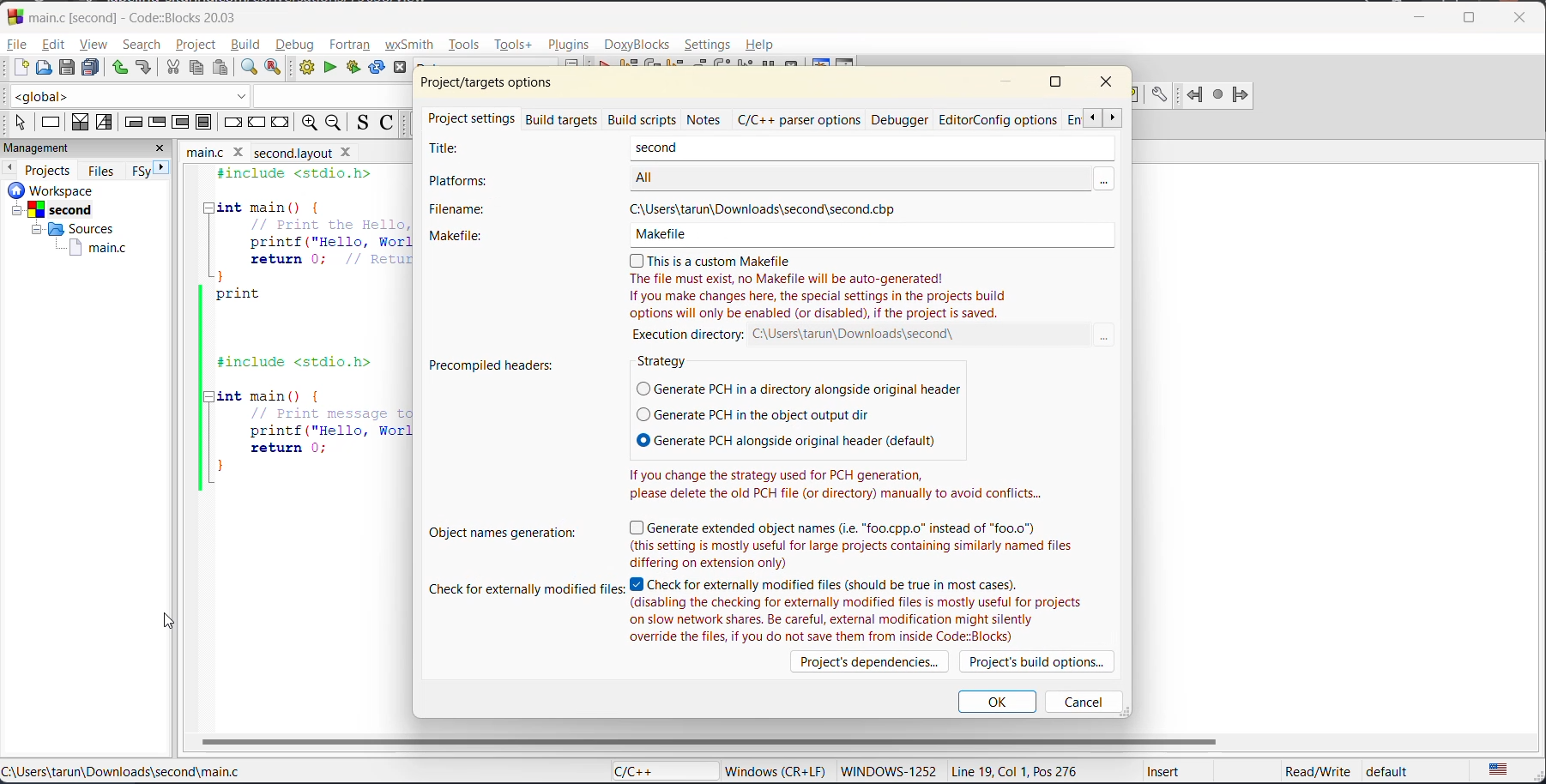 The width and height of the screenshot is (1546, 784). What do you see at coordinates (398, 67) in the screenshot?
I see `abort` at bounding box center [398, 67].